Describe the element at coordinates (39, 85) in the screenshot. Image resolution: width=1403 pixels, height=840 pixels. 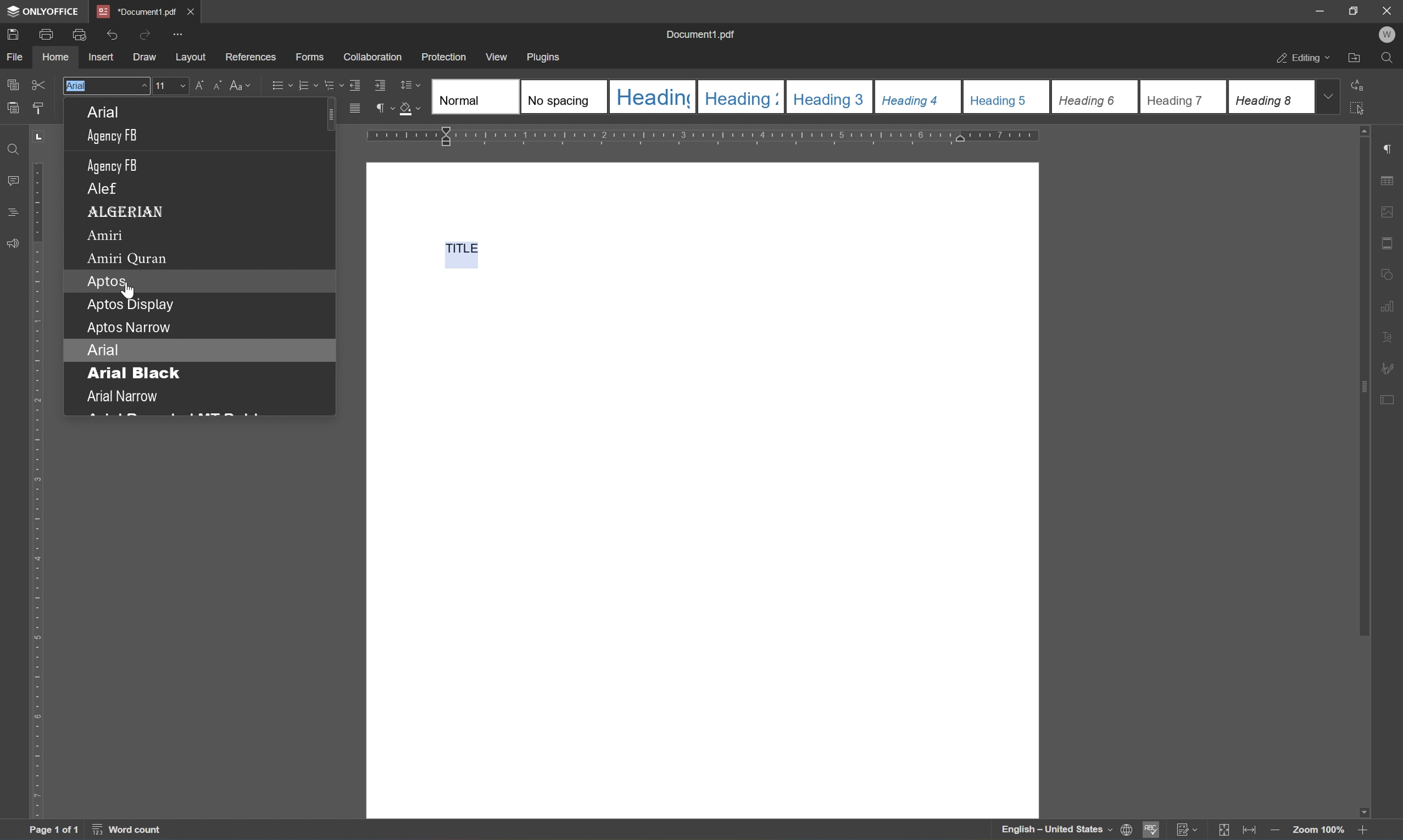
I see `cut` at that location.